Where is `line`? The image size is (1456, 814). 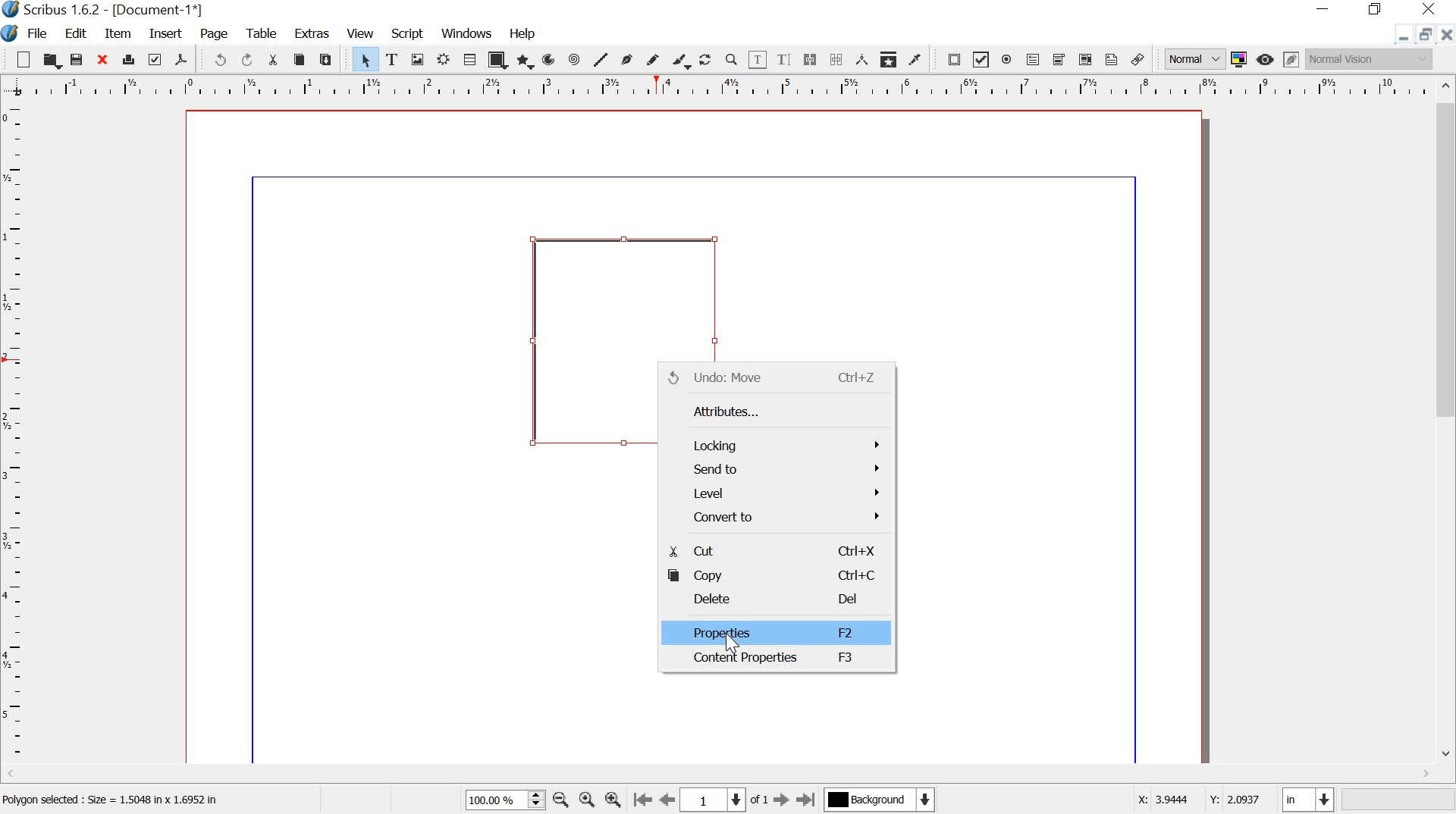 line is located at coordinates (602, 59).